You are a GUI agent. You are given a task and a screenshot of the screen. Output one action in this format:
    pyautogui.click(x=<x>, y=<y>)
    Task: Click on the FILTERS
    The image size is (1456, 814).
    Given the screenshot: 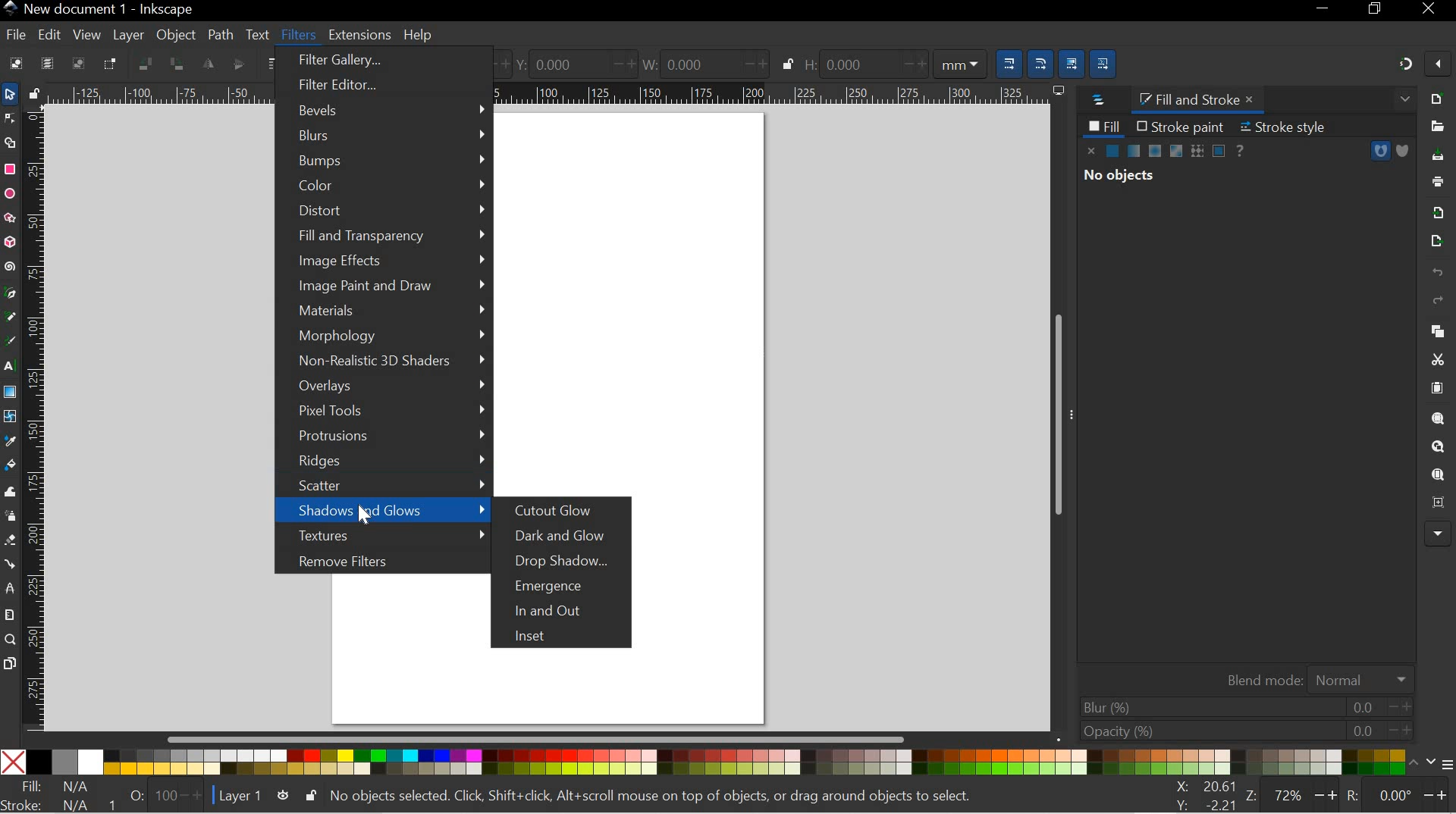 What is the action you would take?
    pyautogui.click(x=297, y=33)
    